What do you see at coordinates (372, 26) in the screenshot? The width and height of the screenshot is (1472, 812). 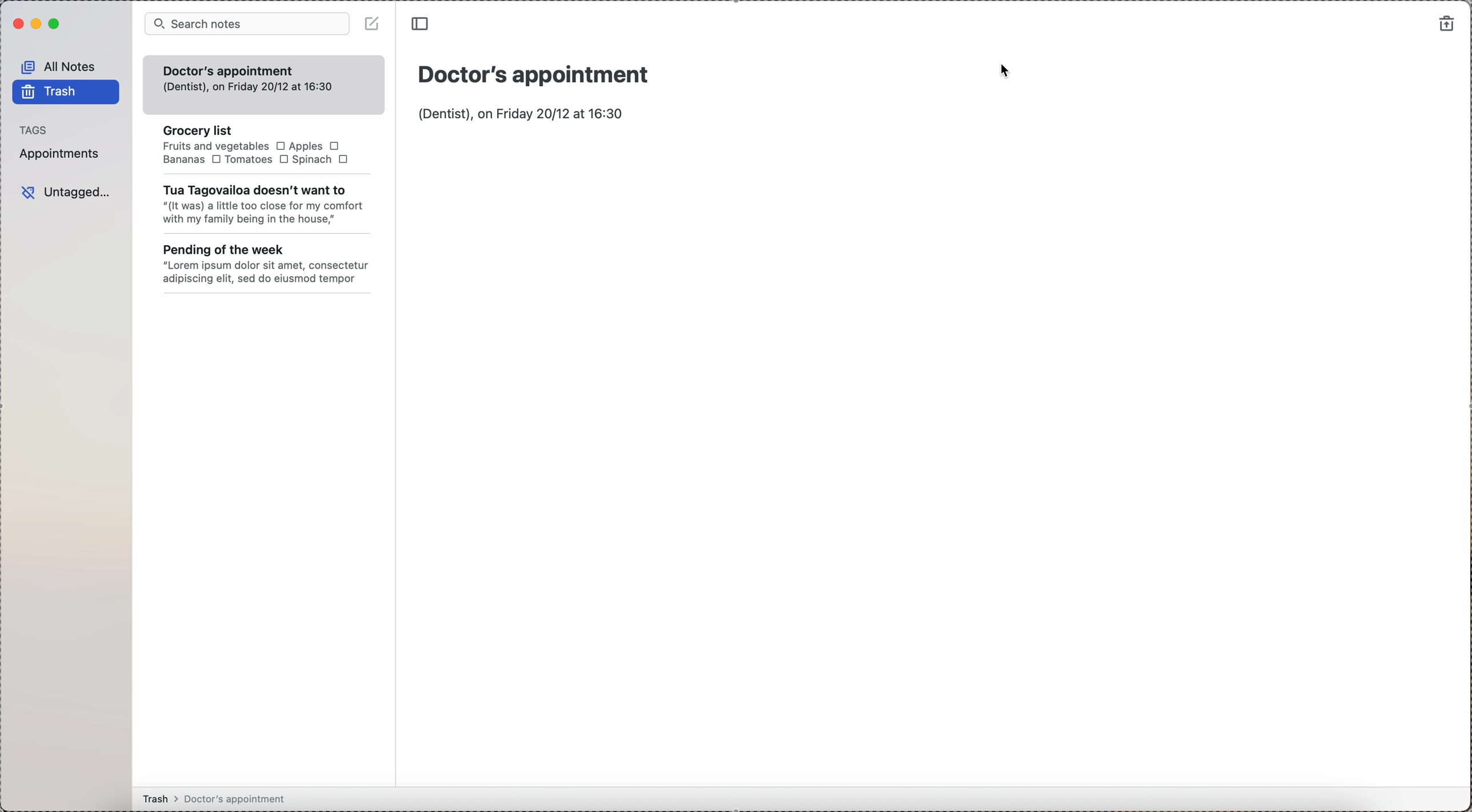 I see `disable create note` at bounding box center [372, 26].